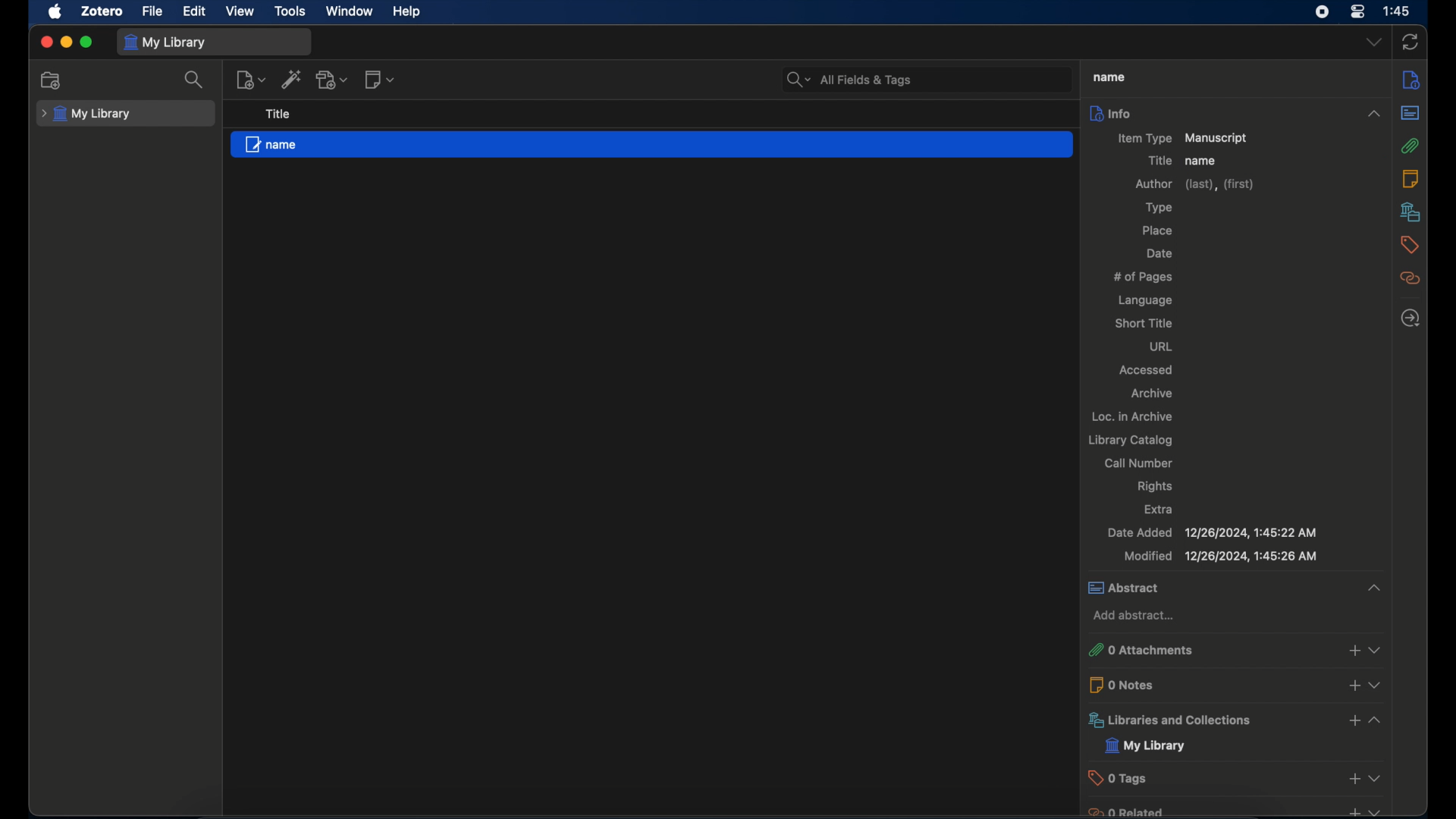  Describe the element at coordinates (1236, 113) in the screenshot. I see `info` at that location.